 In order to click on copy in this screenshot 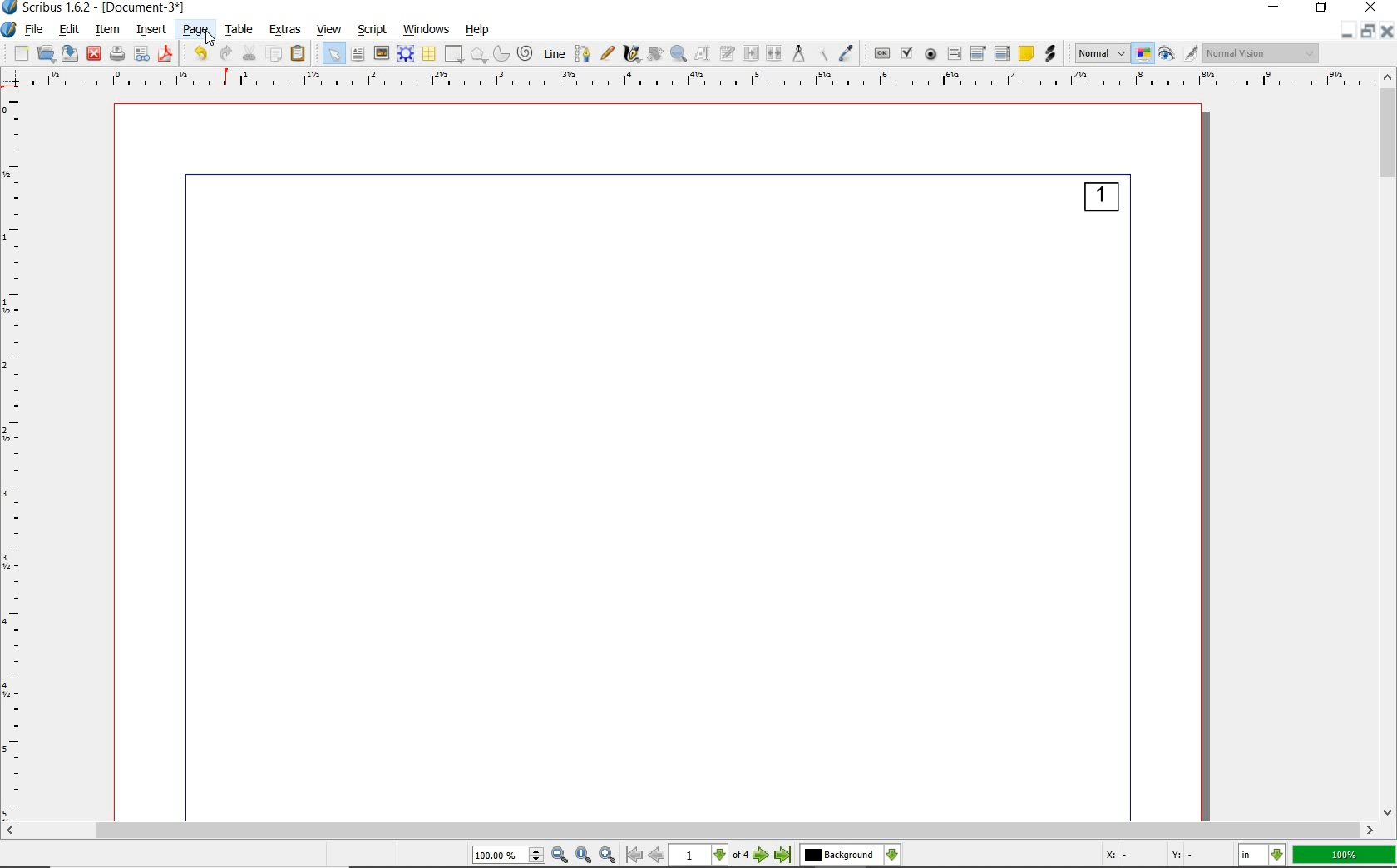, I will do `click(275, 54)`.